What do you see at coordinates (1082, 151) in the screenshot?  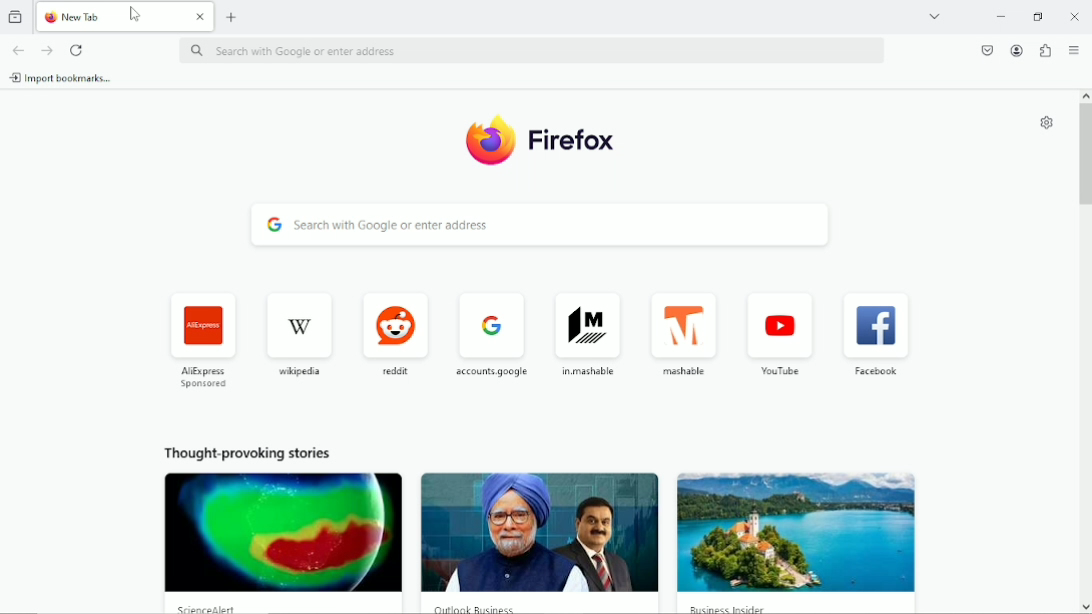 I see `Vertical scroll bar` at bounding box center [1082, 151].